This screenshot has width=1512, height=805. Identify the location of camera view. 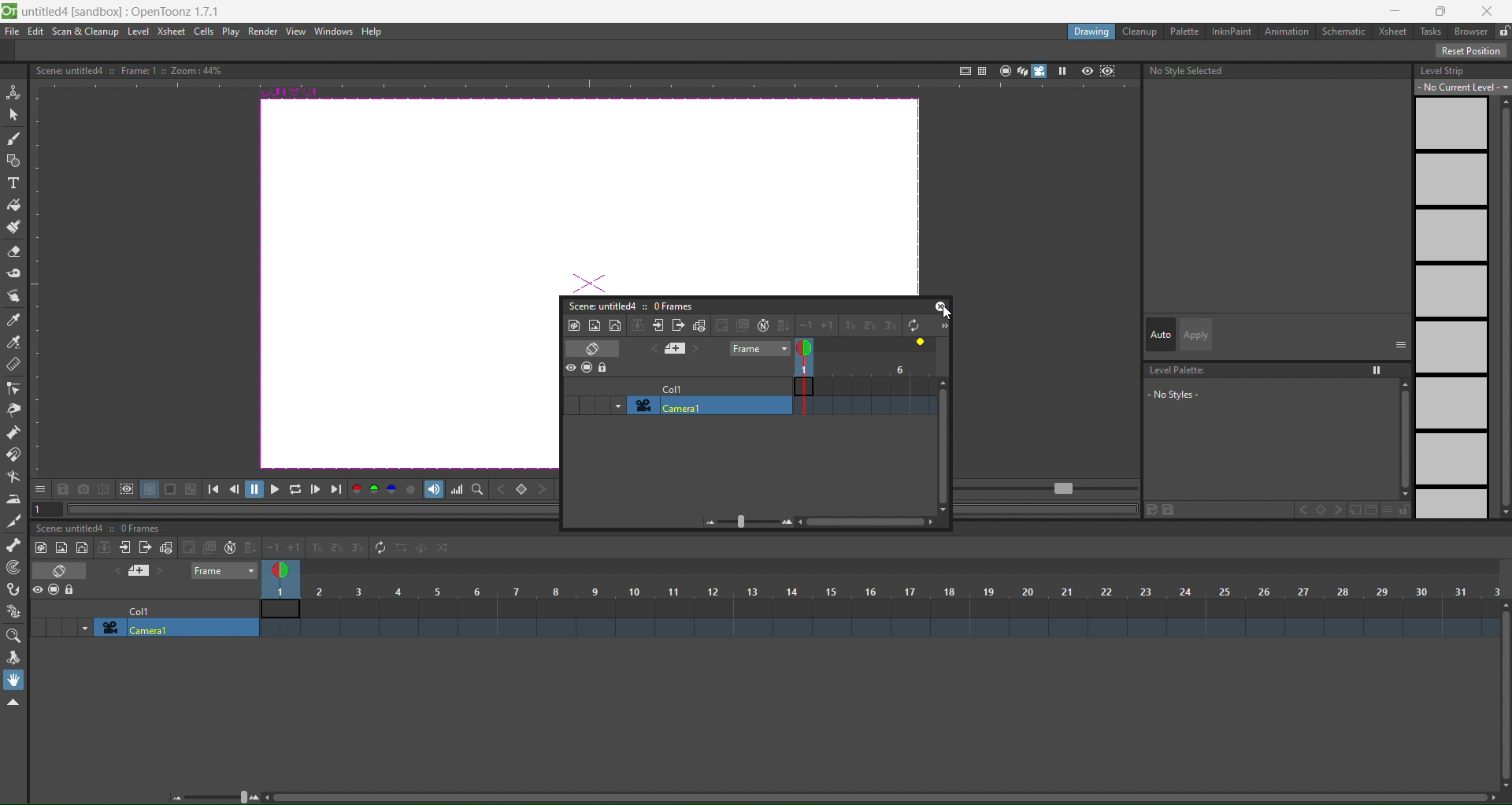
(1031, 71).